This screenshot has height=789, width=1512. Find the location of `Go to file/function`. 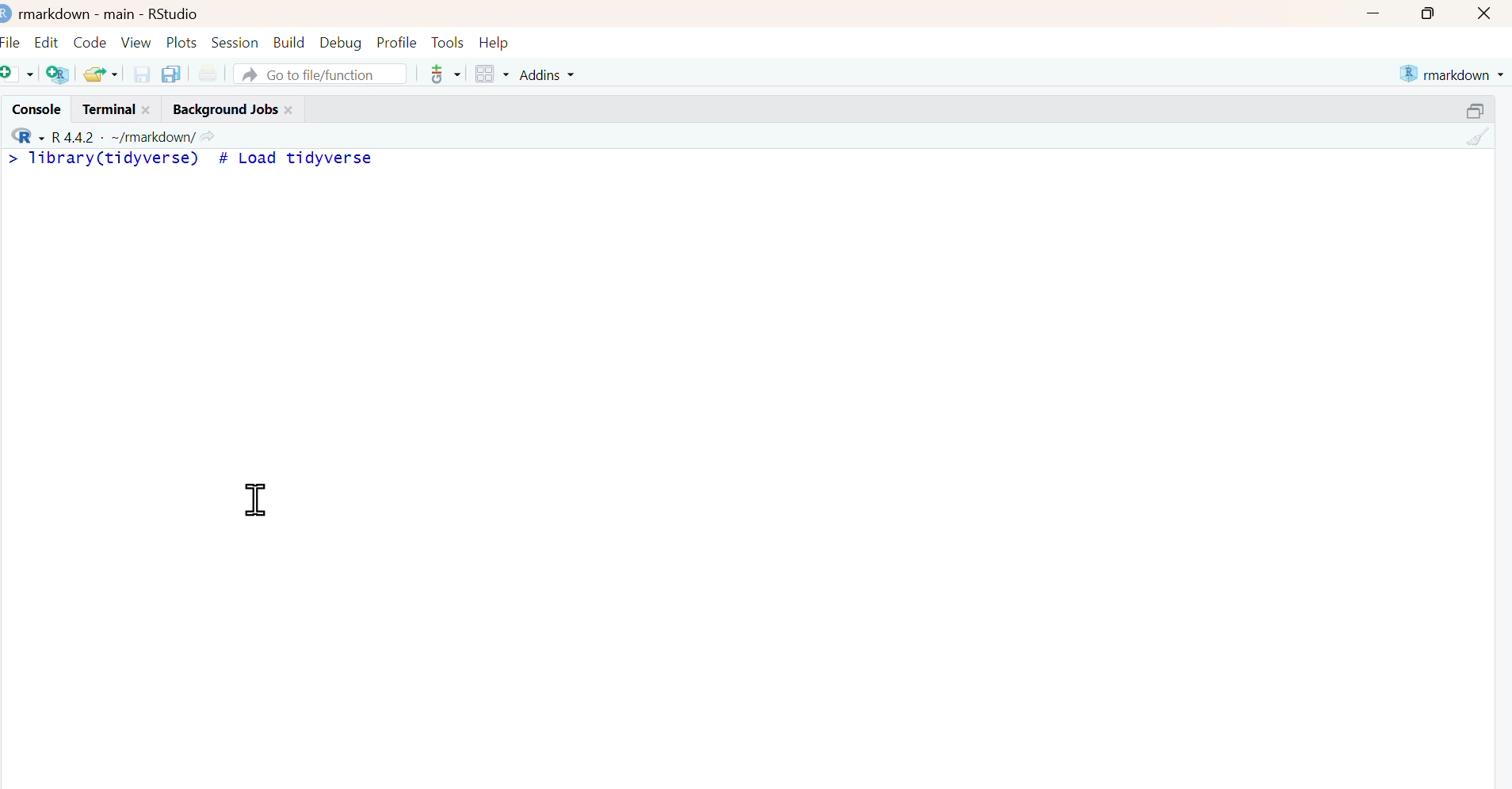

Go to file/function is located at coordinates (322, 73).